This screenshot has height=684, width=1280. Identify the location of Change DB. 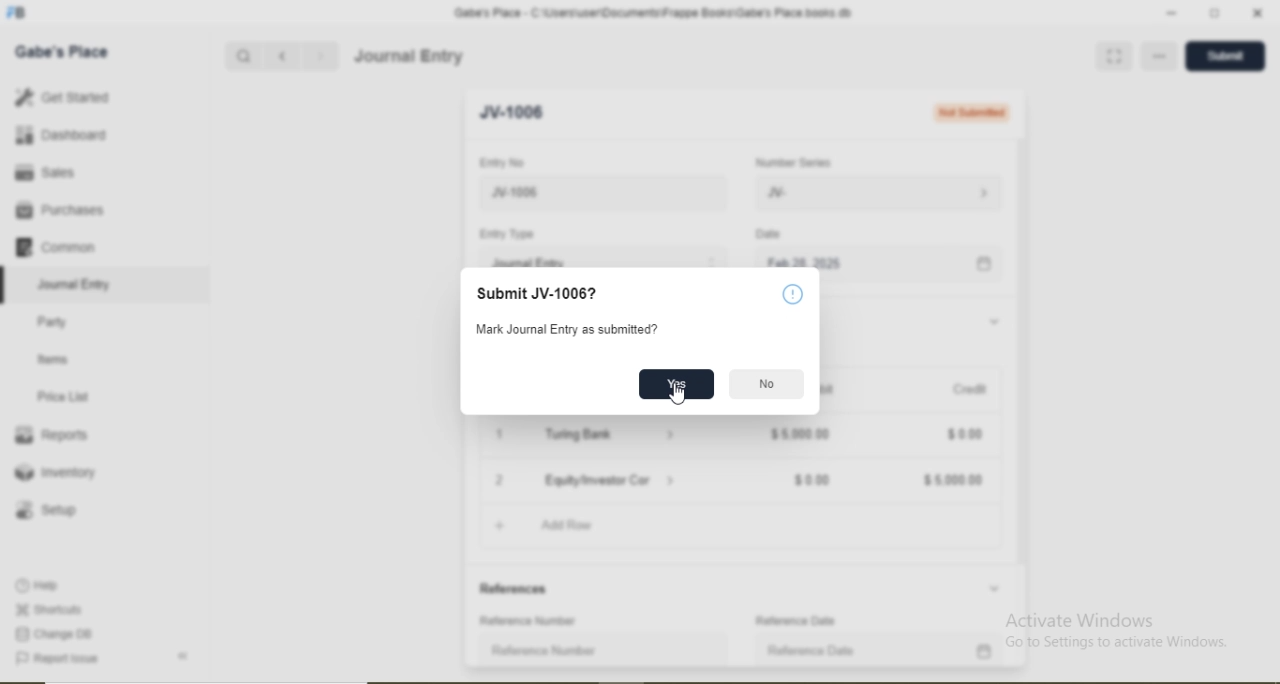
(52, 635).